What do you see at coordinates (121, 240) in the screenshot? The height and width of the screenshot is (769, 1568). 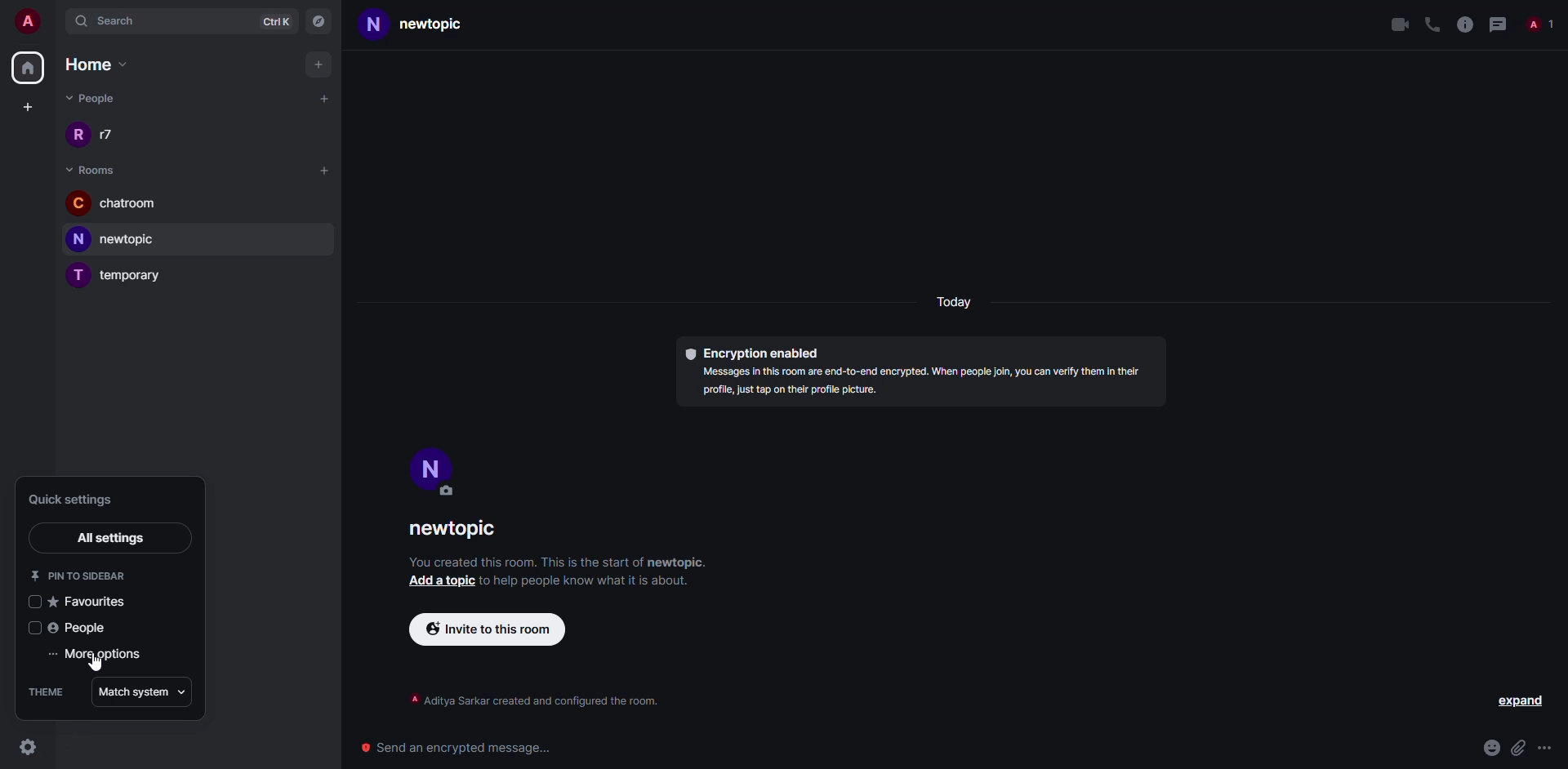 I see `room` at bounding box center [121, 240].